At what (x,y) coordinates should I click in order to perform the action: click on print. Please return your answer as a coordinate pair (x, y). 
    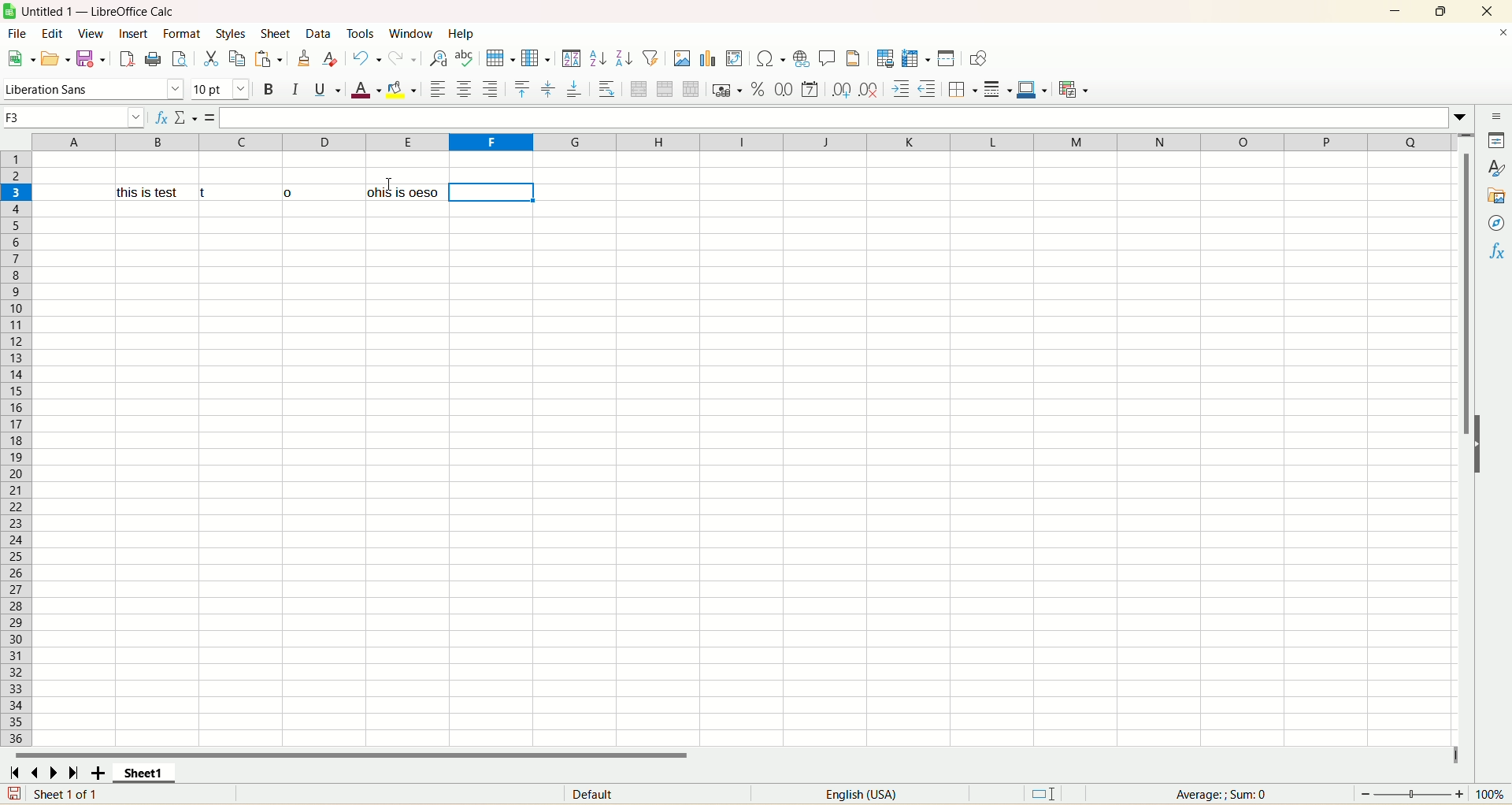
    Looking at the image, I should click on (152, 58).